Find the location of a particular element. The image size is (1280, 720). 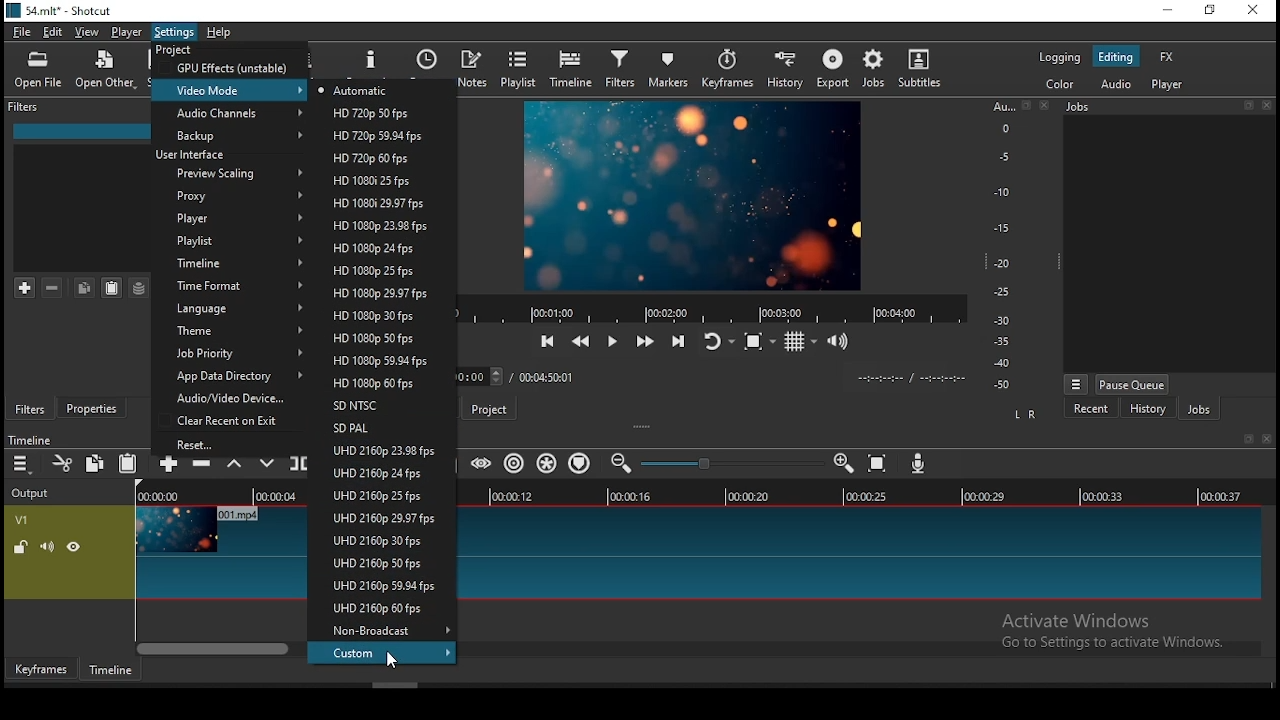

properties is located at coordinates (373, 60).